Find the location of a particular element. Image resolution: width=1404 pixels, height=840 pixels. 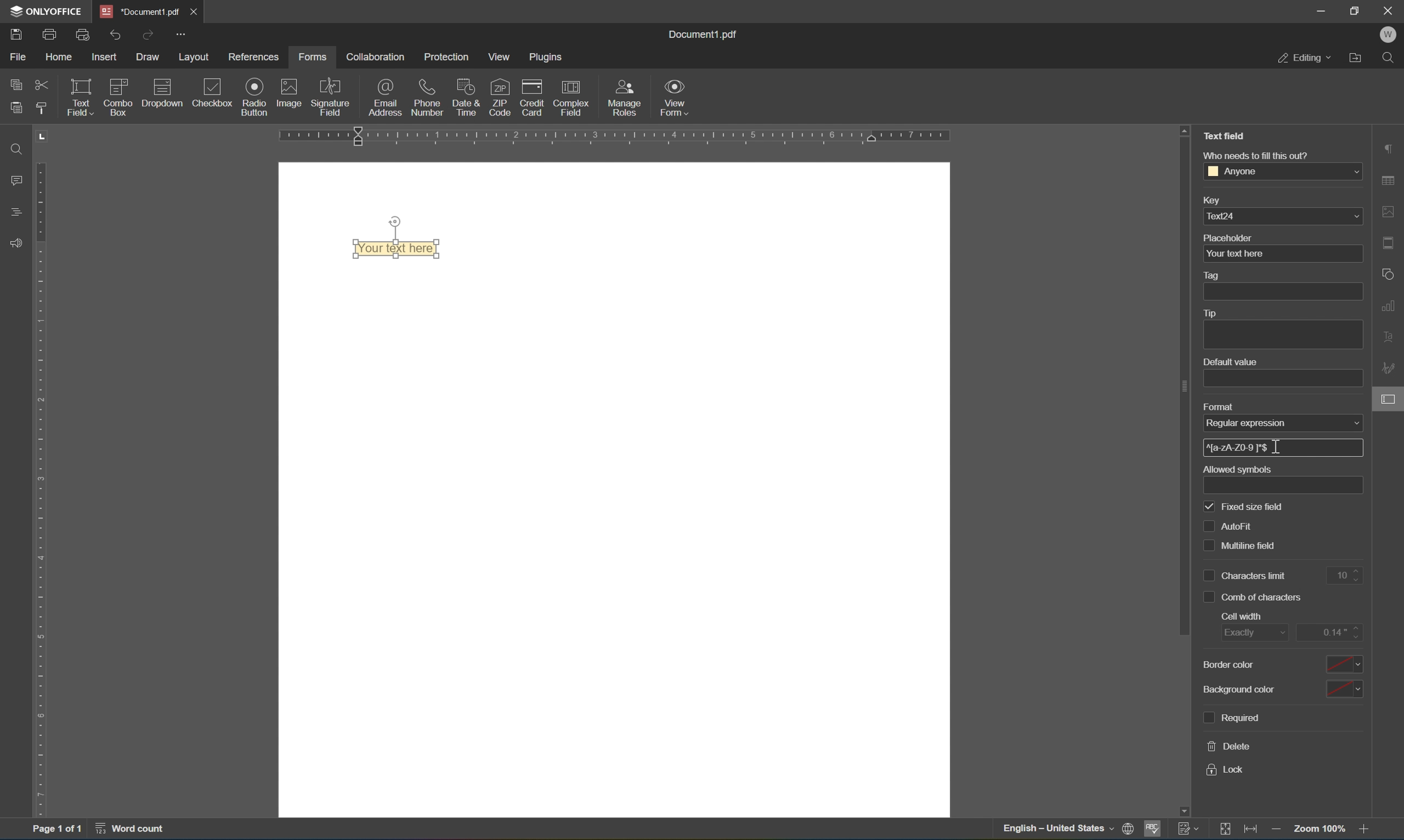

text field is located at coordinates (1228, 135).